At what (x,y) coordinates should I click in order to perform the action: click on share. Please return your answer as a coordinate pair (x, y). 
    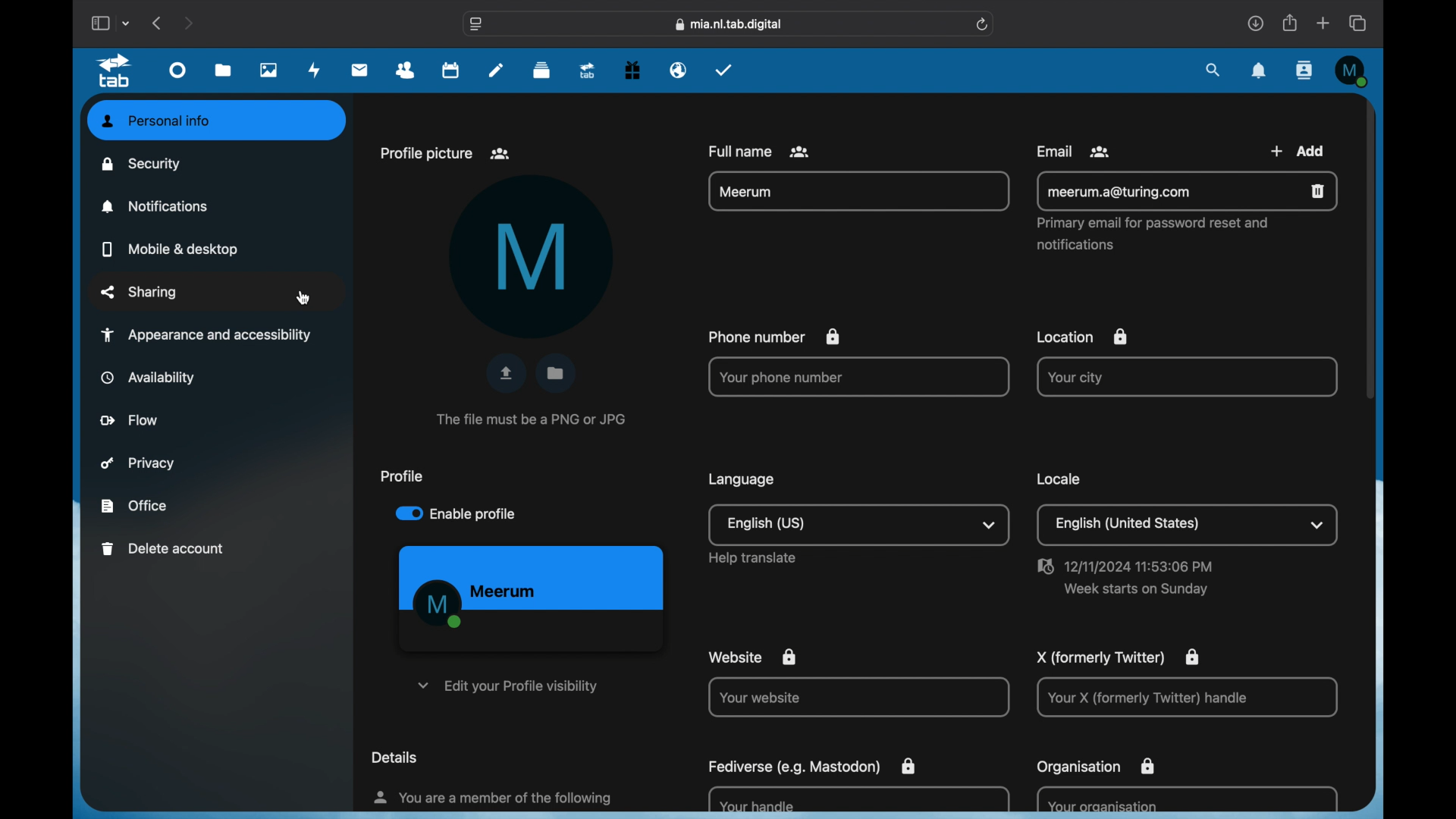
    Looking at the image, I should click on (1291, 23).